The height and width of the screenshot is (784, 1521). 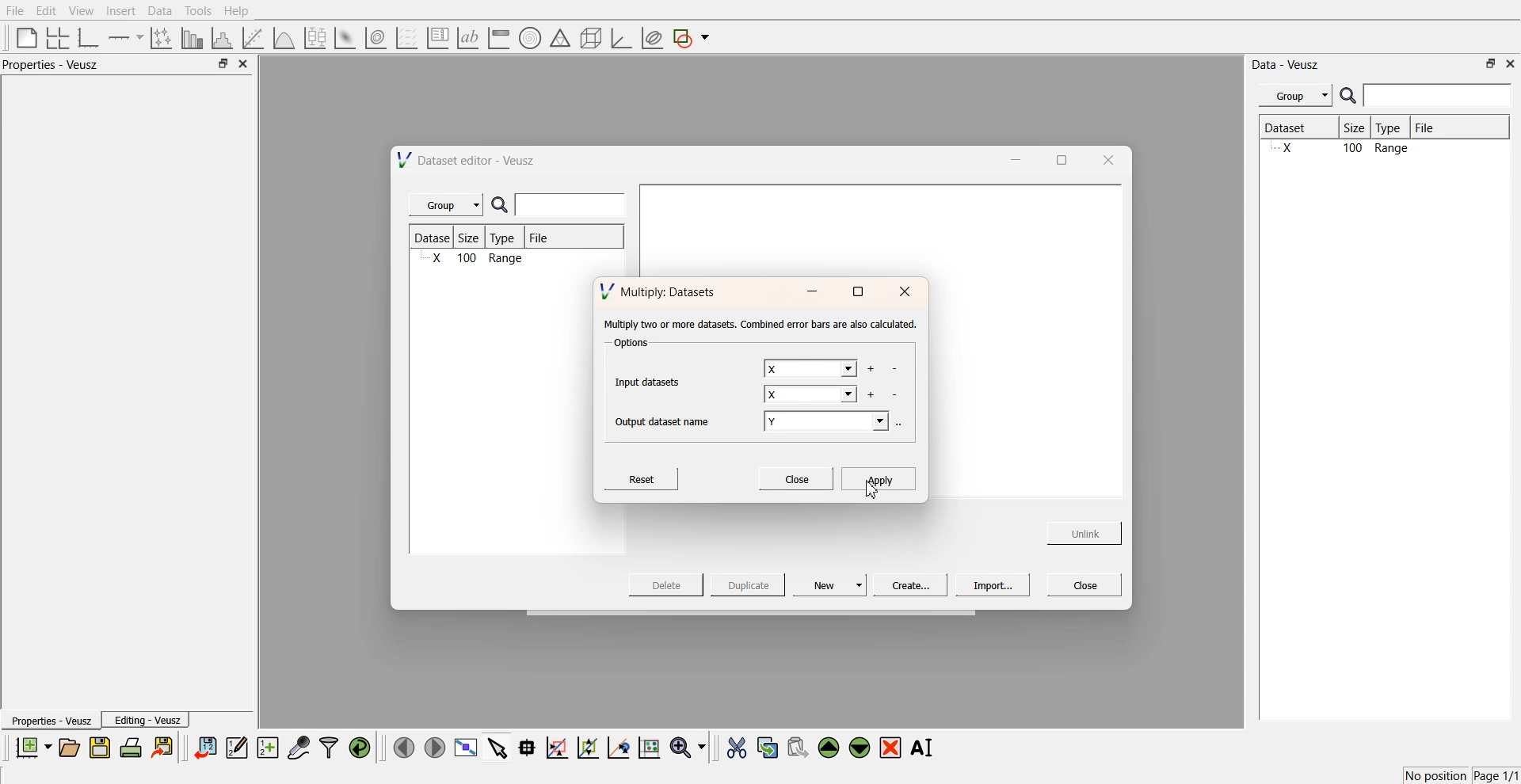 I want to click on No position, so click(x=1438, y=774).